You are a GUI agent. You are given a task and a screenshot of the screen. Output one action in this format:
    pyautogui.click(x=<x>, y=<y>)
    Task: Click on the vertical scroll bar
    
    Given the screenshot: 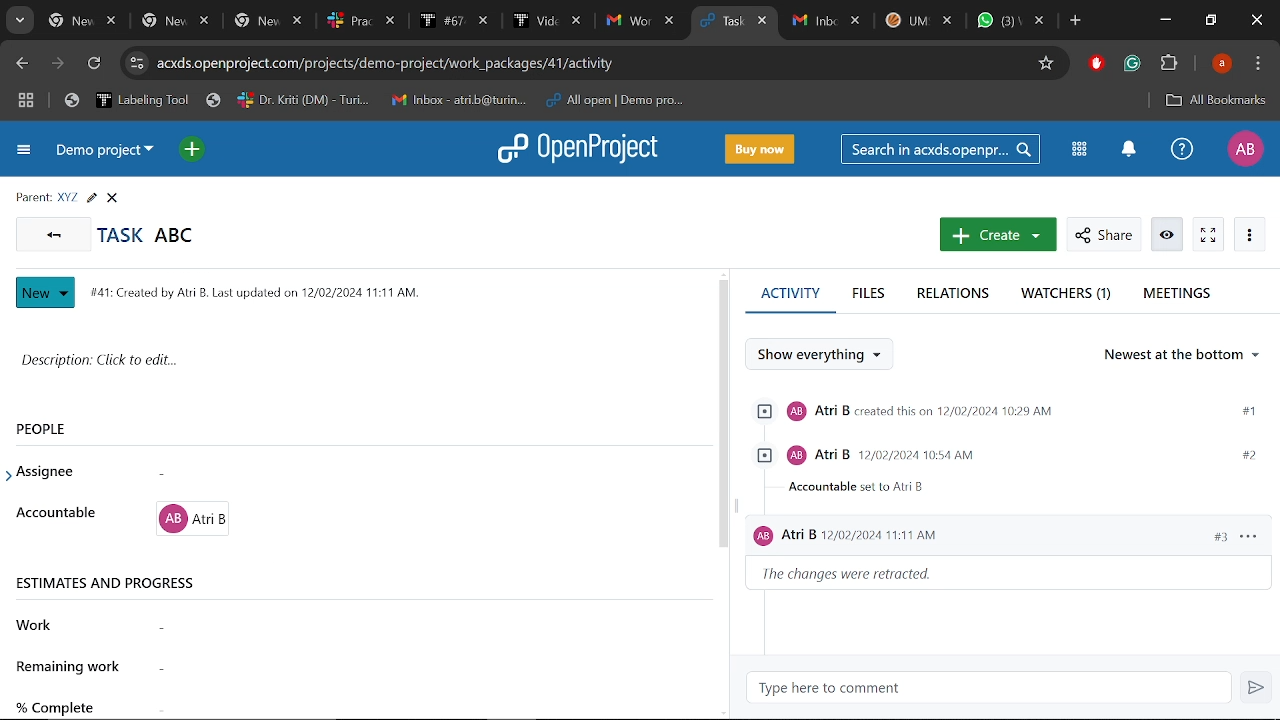 What is the action you would take?
    pyautogui.click(x=723, y=415)
    